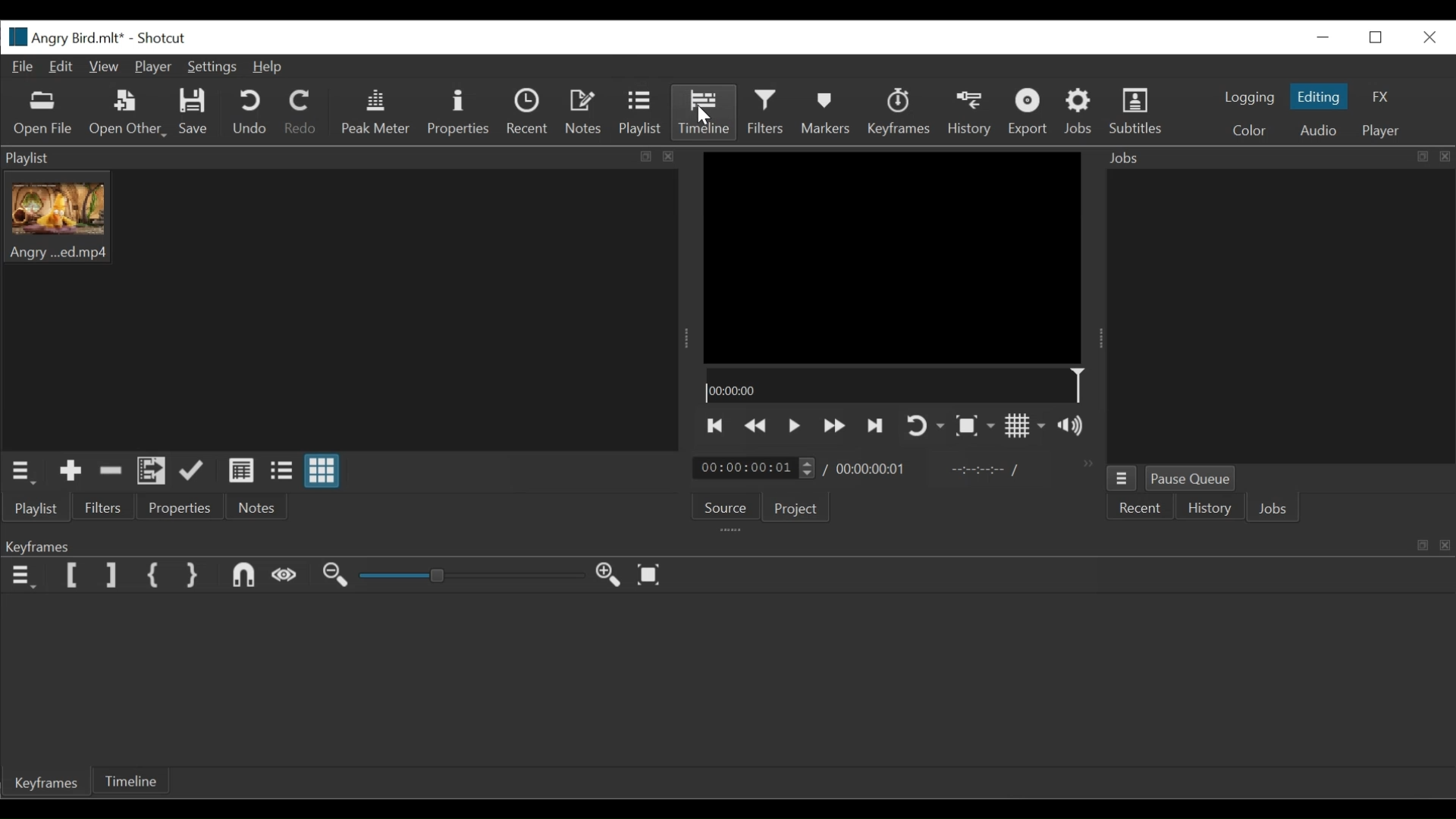 The width and height of the screenshot is (1456, 819). Describe the element at coordinates (190, 576) in the screenshot. I see `Set Second Simple keyframe` at that location.